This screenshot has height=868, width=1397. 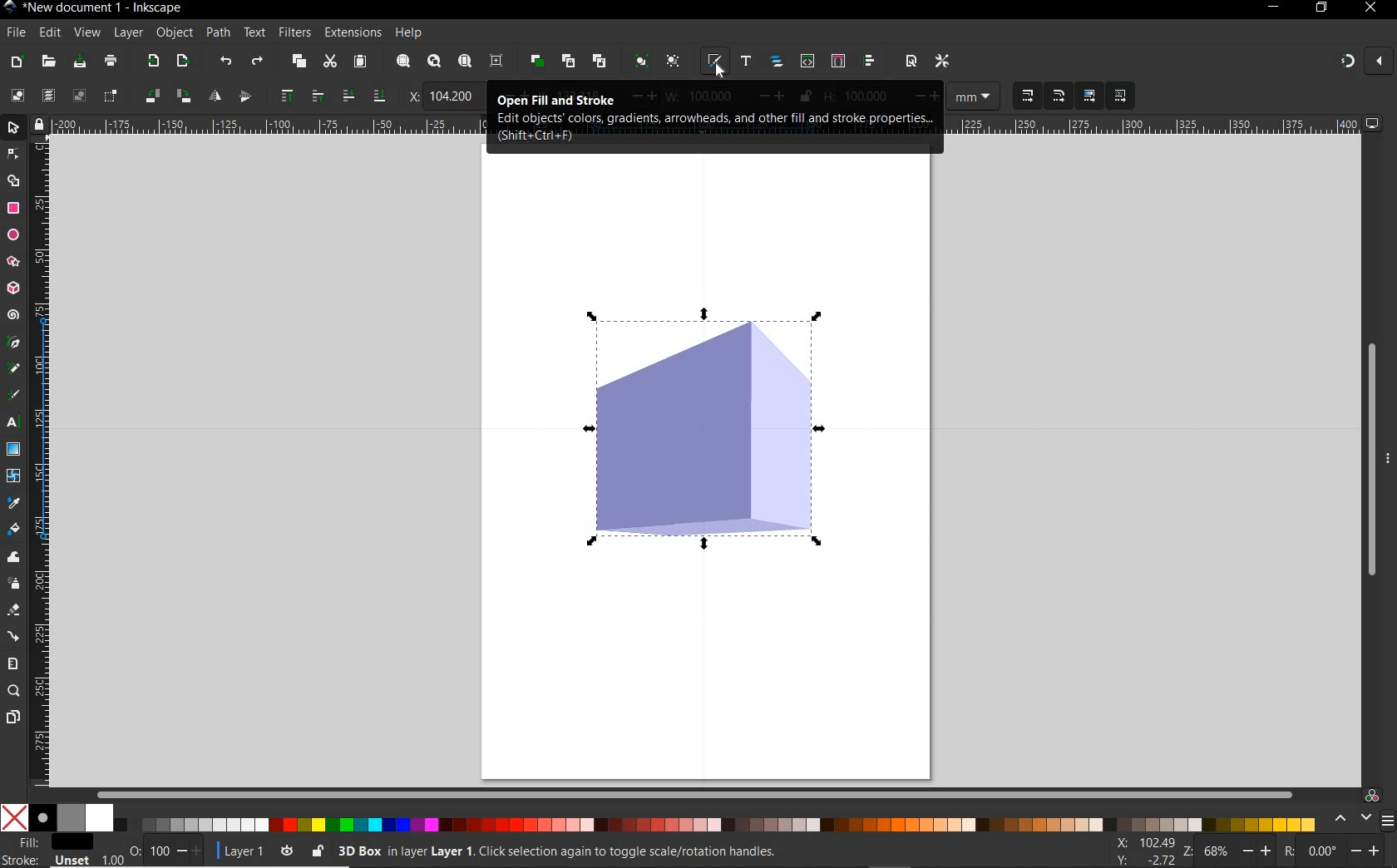 What do you see at coordinates (744, 62) in the screenshot?
I see `OPEN TEXT` at bounding box center [744, 62].